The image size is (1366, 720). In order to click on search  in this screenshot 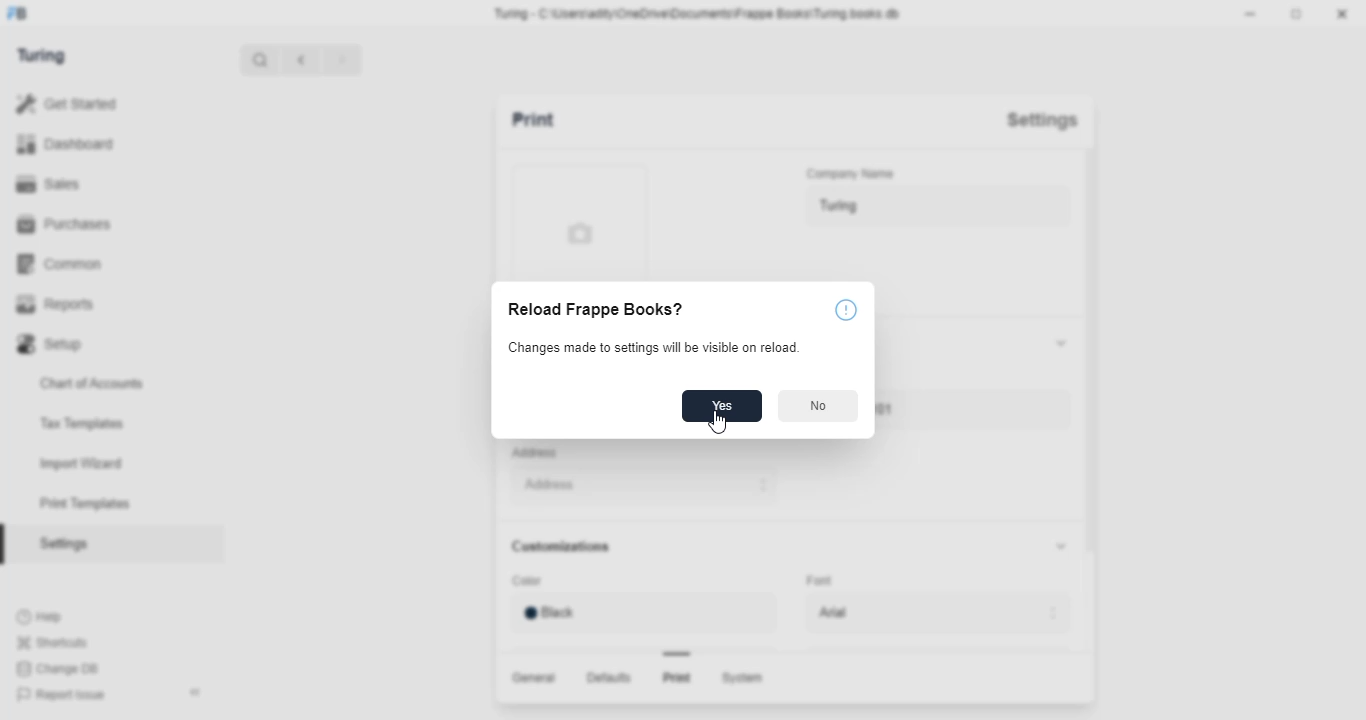, I will do `click(261, 59)`.